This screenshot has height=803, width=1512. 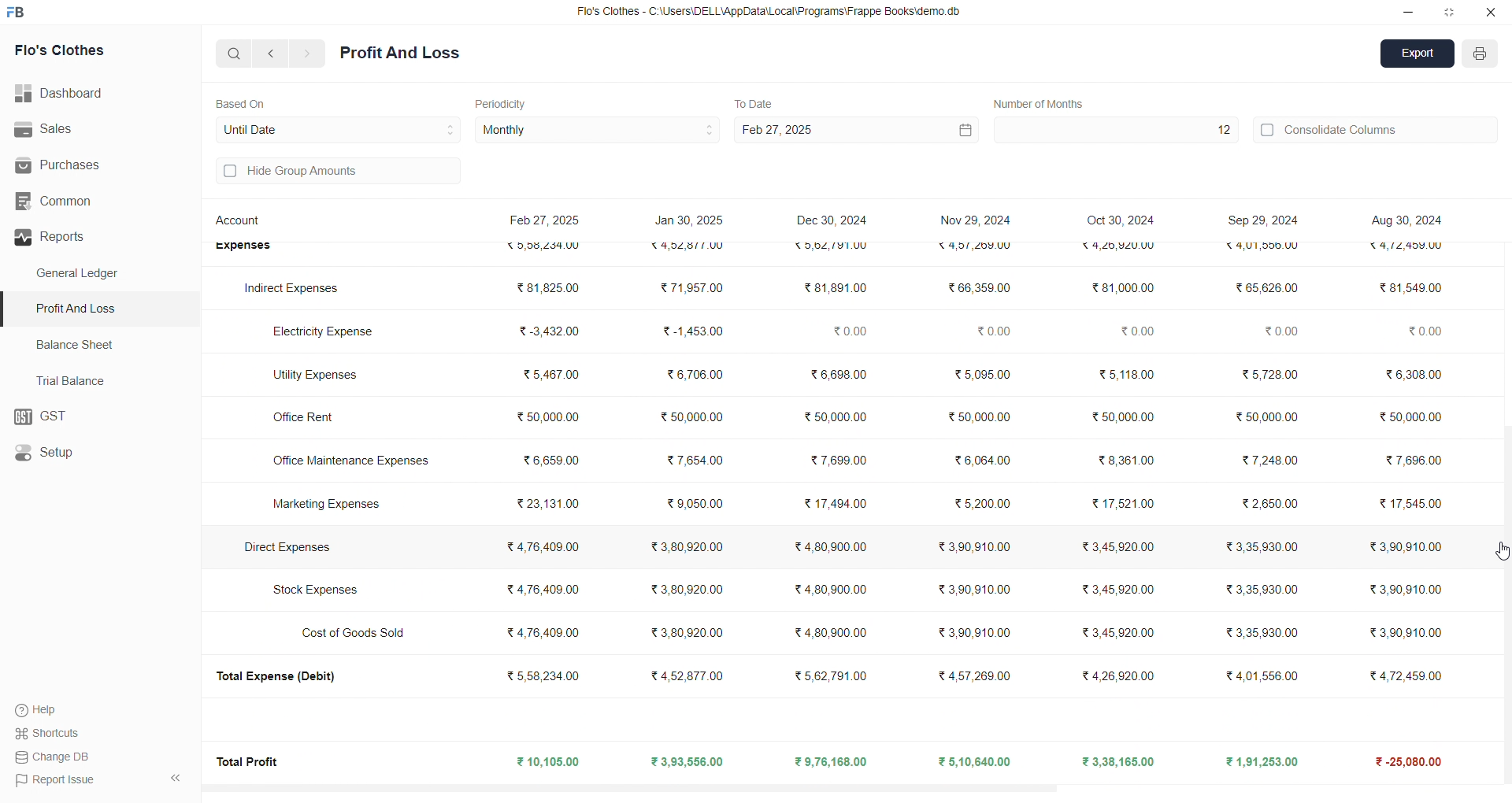 I want to click on ₹3,35,930.00, so click(x=1256, y=589).